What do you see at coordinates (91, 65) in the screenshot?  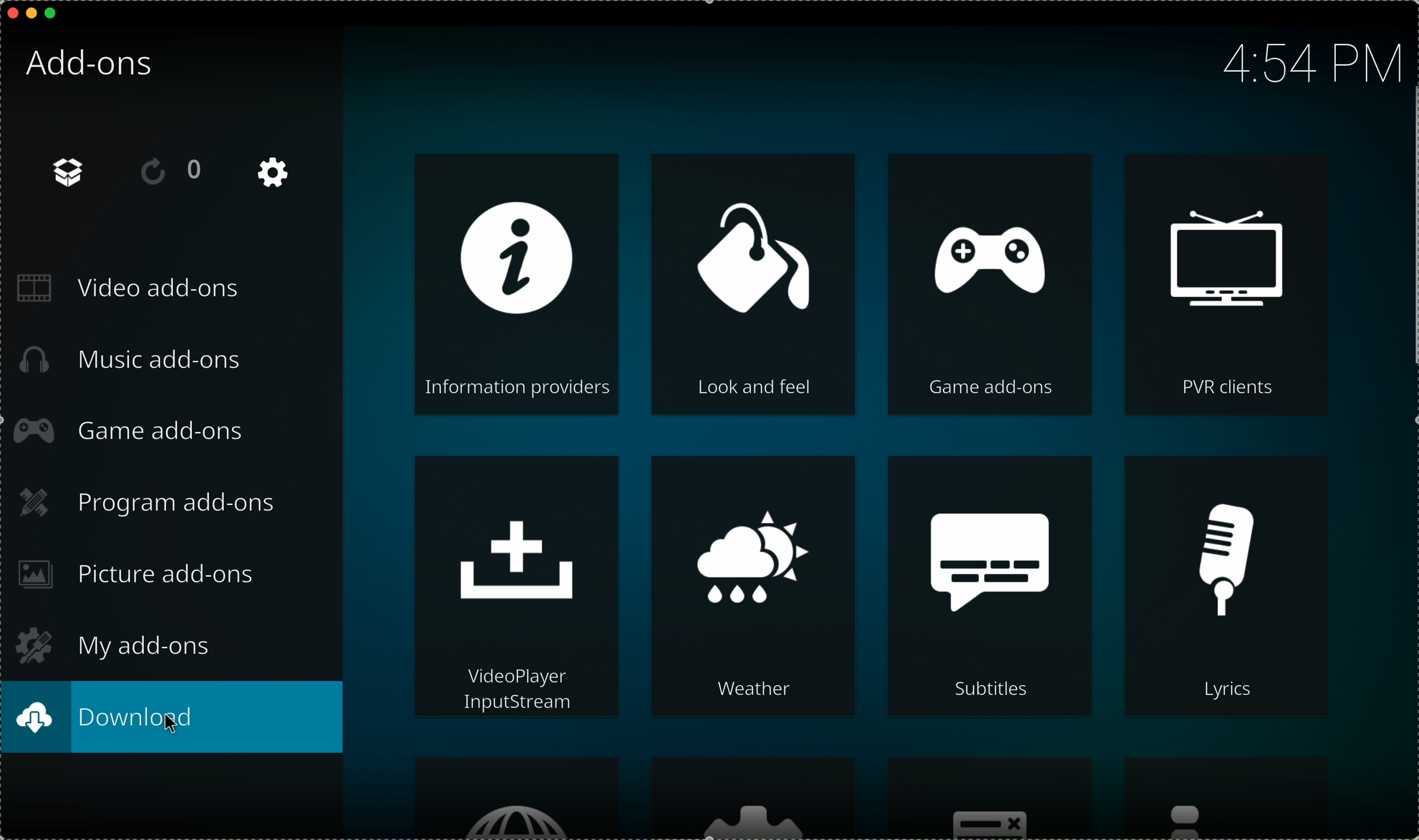 I see `add-ons` at bounding box center [91, 65].